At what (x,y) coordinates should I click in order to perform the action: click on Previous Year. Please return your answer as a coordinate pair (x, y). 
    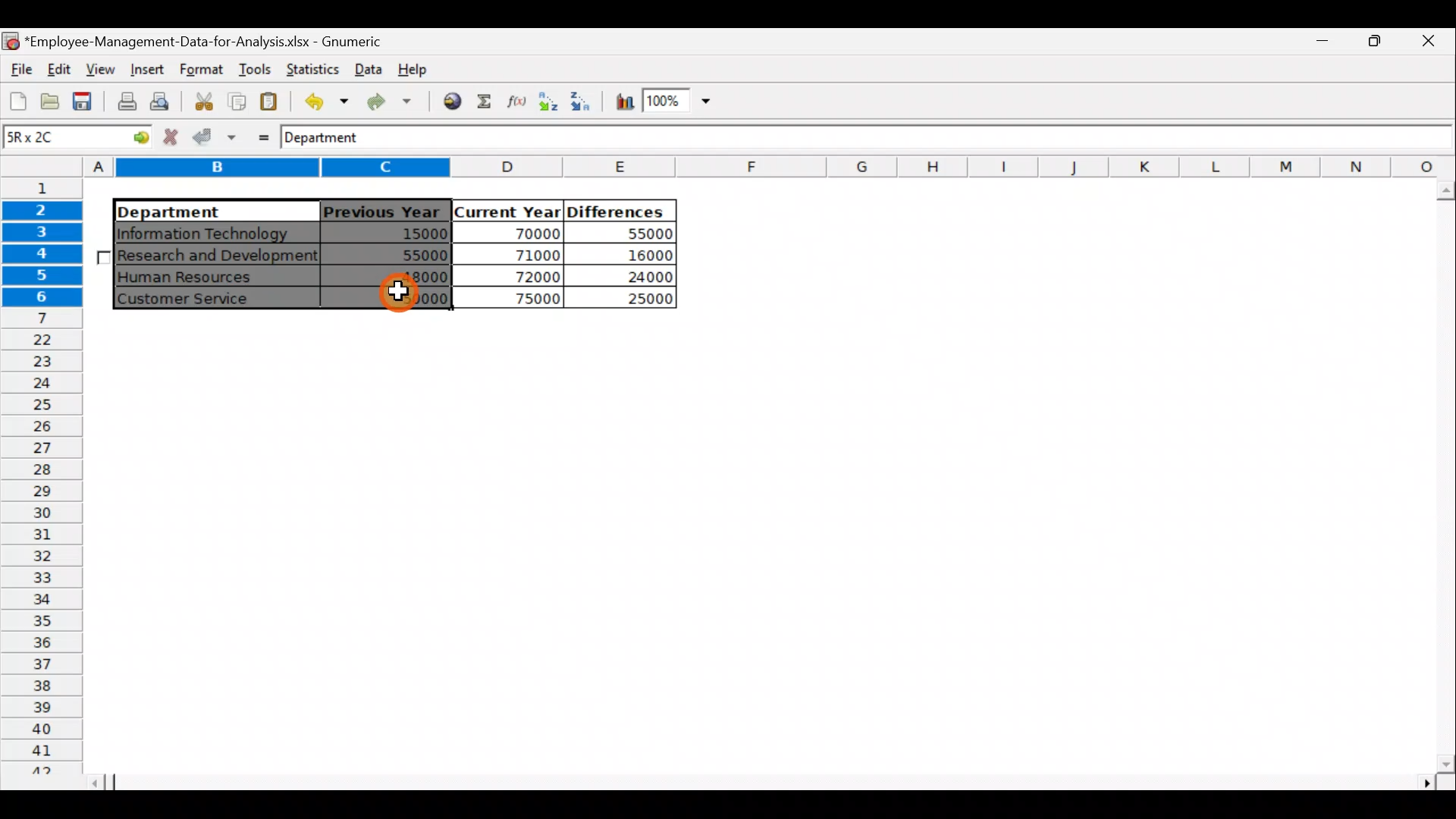
    Looking at the image, I should click on (382, 209).